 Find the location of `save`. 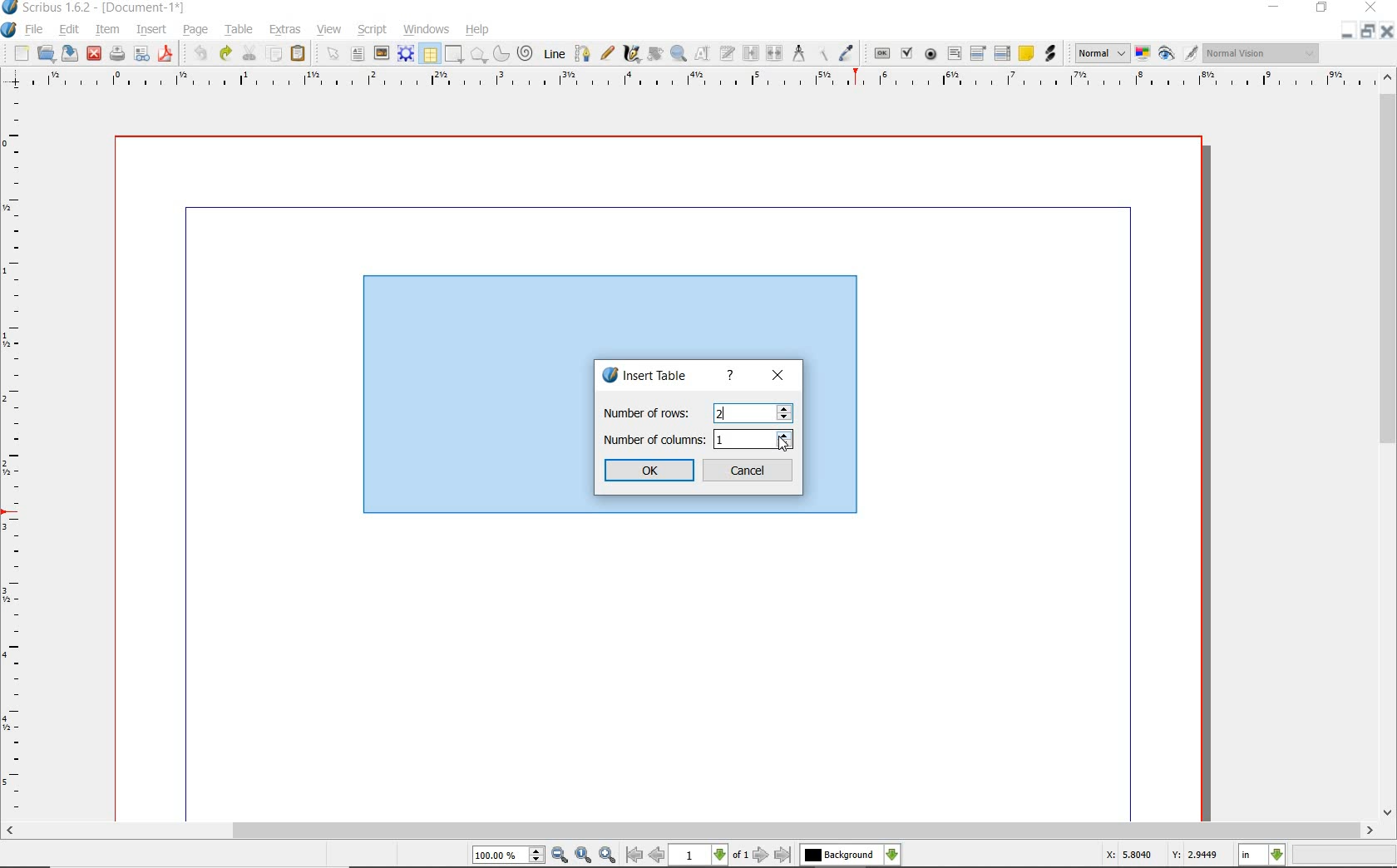

save is located at coordinates (71, 52).